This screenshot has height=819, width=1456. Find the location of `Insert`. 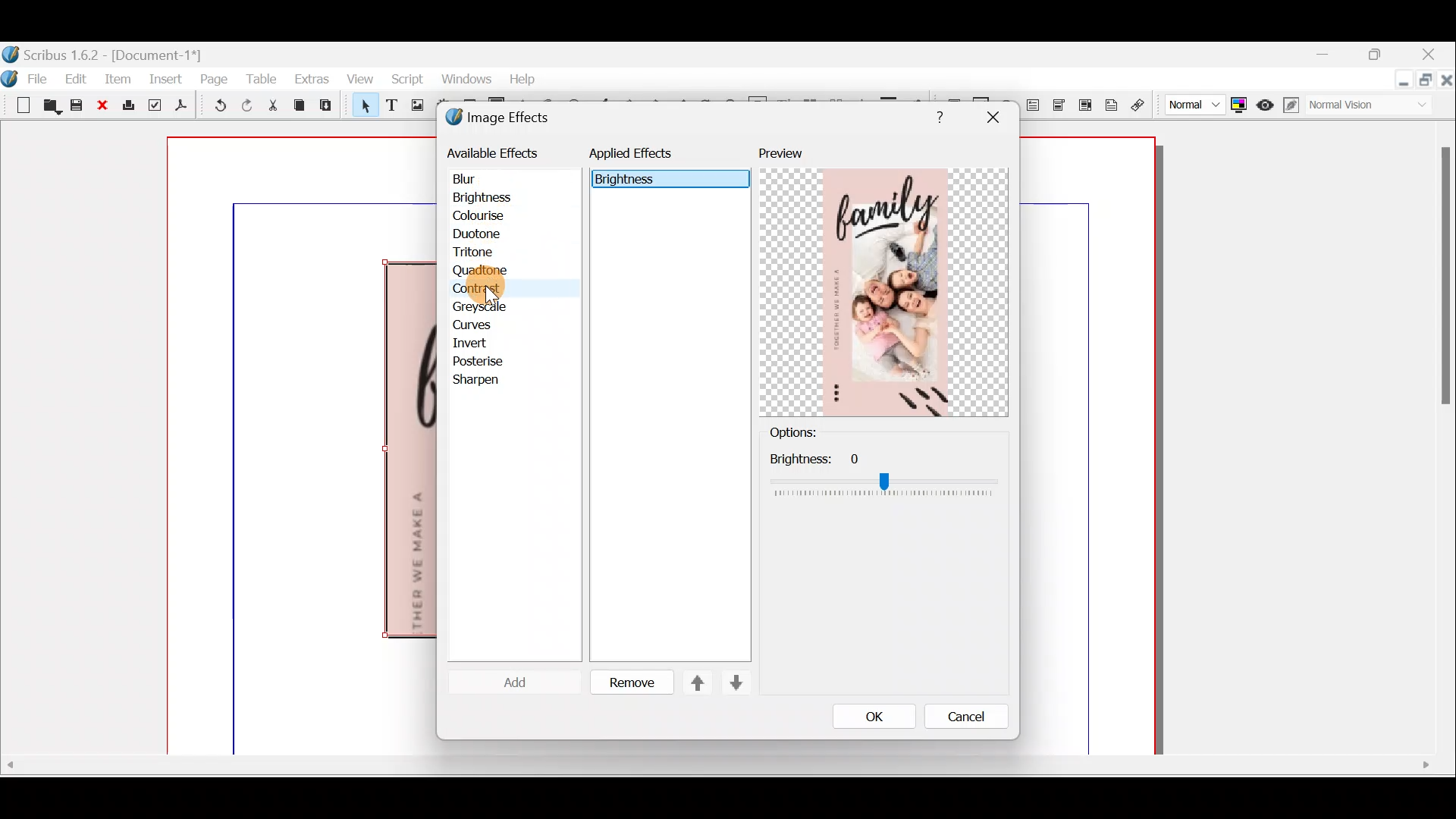

Insert is located at coordinates (167, 78).